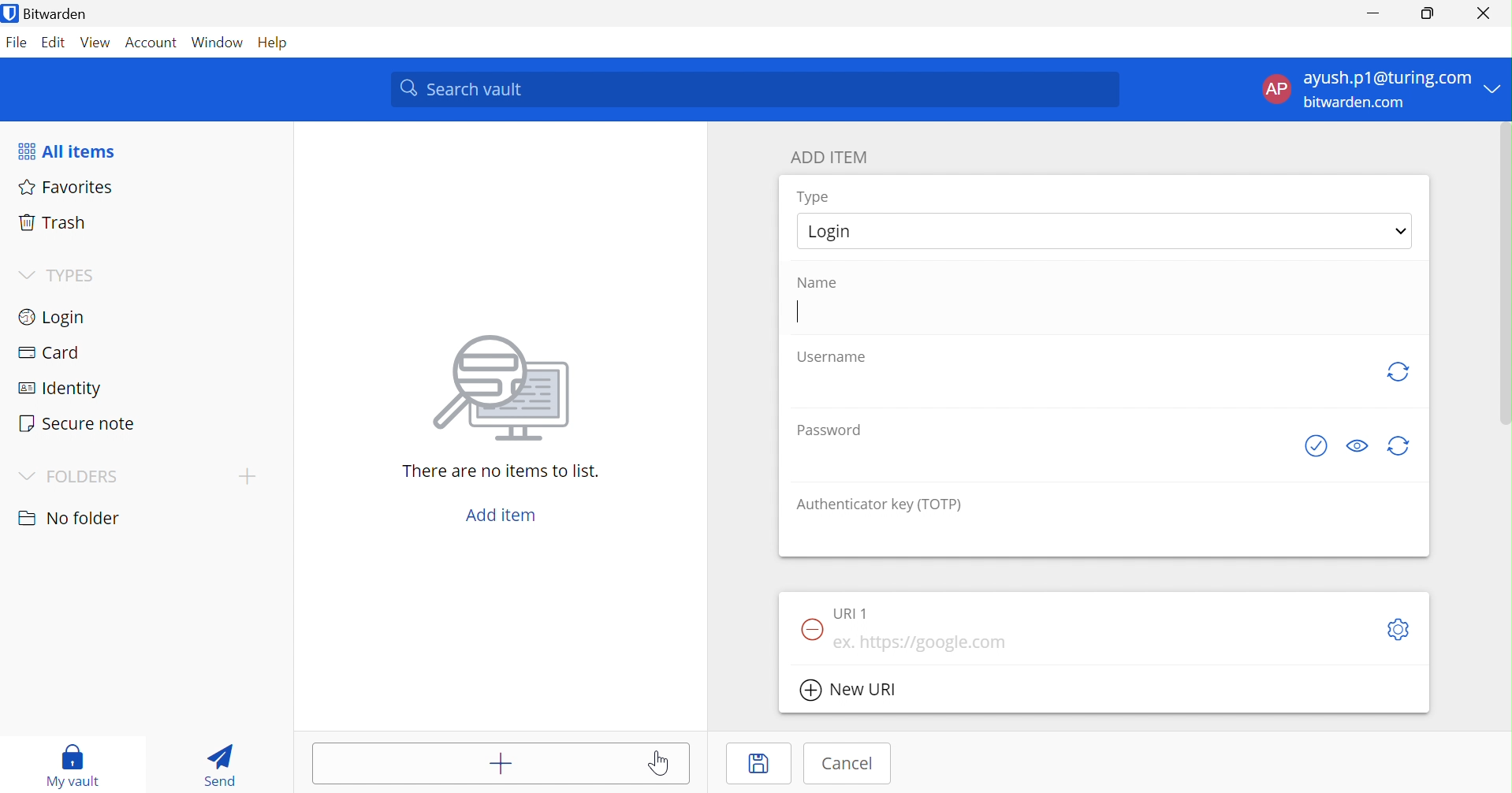 The image size is (1512, 793). What do you see at coordinates (1403, 232) in the screenshot?
I see `Drop Down` at bounding box center [1403, 232].